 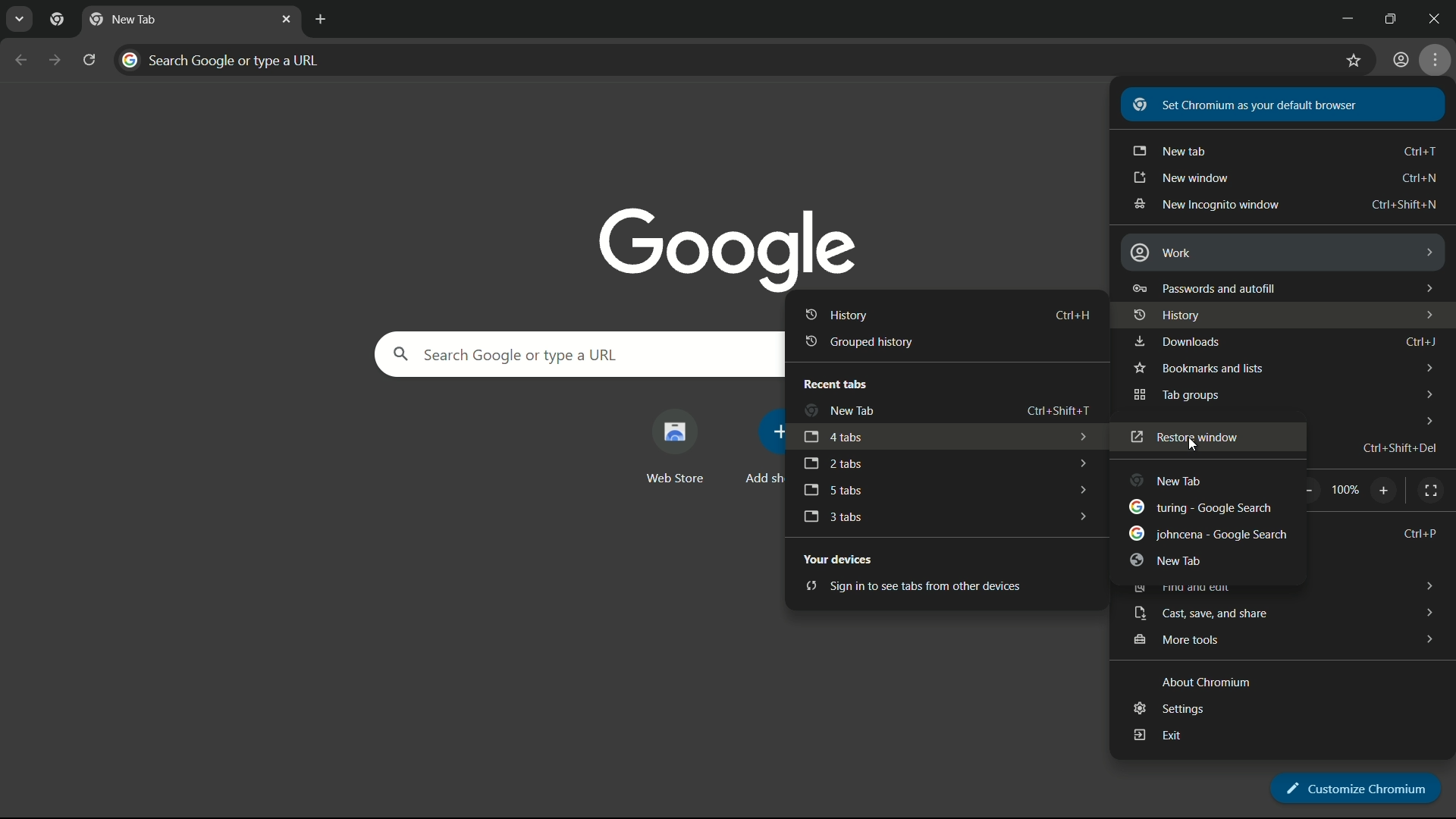 What do you see at coordinates (1081, 515) in the screenshot?
I see `dropdown arrows` at bounding box center [1081, 515].